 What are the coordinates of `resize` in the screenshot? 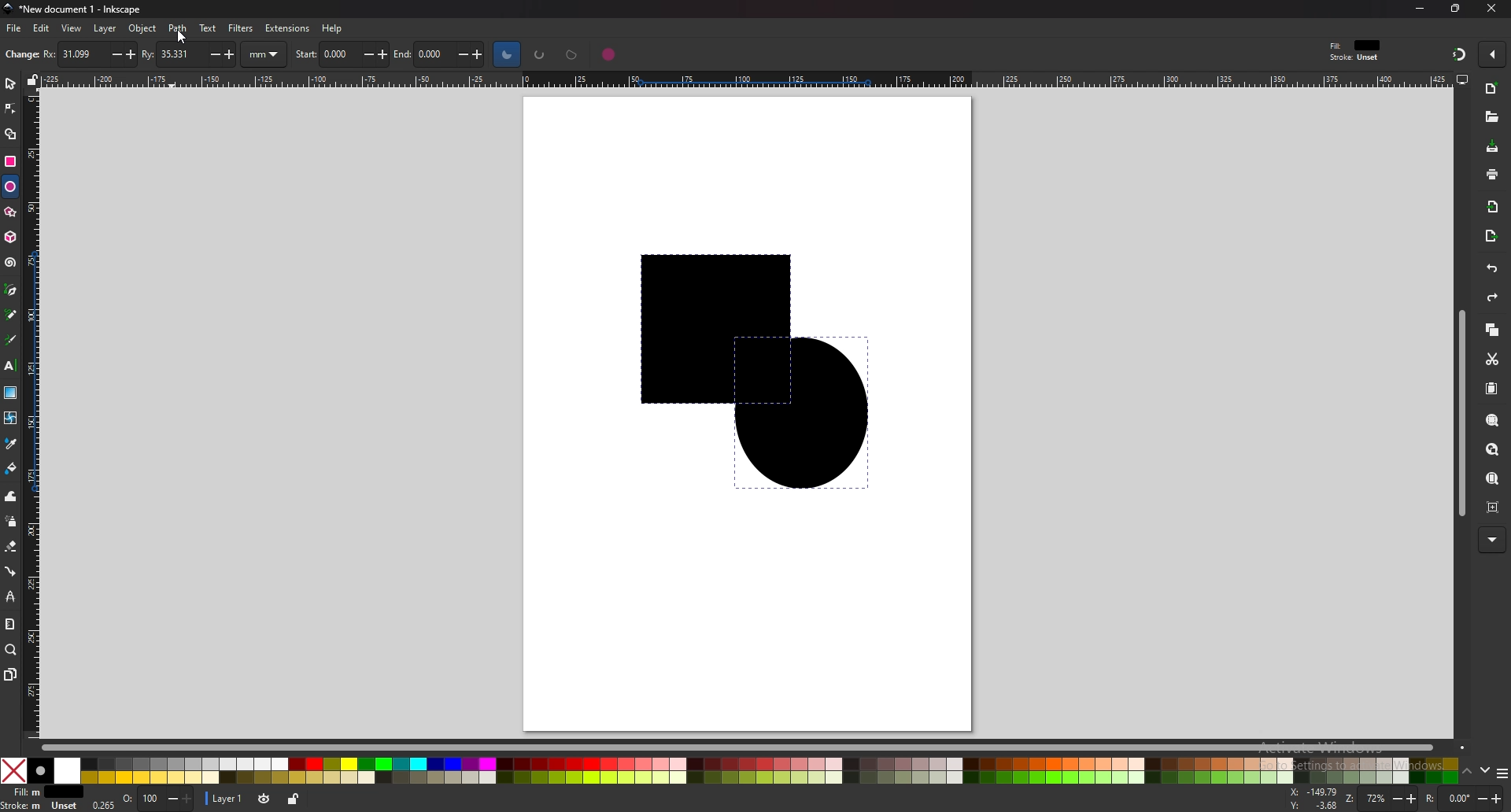 It's located at (1455, 9).